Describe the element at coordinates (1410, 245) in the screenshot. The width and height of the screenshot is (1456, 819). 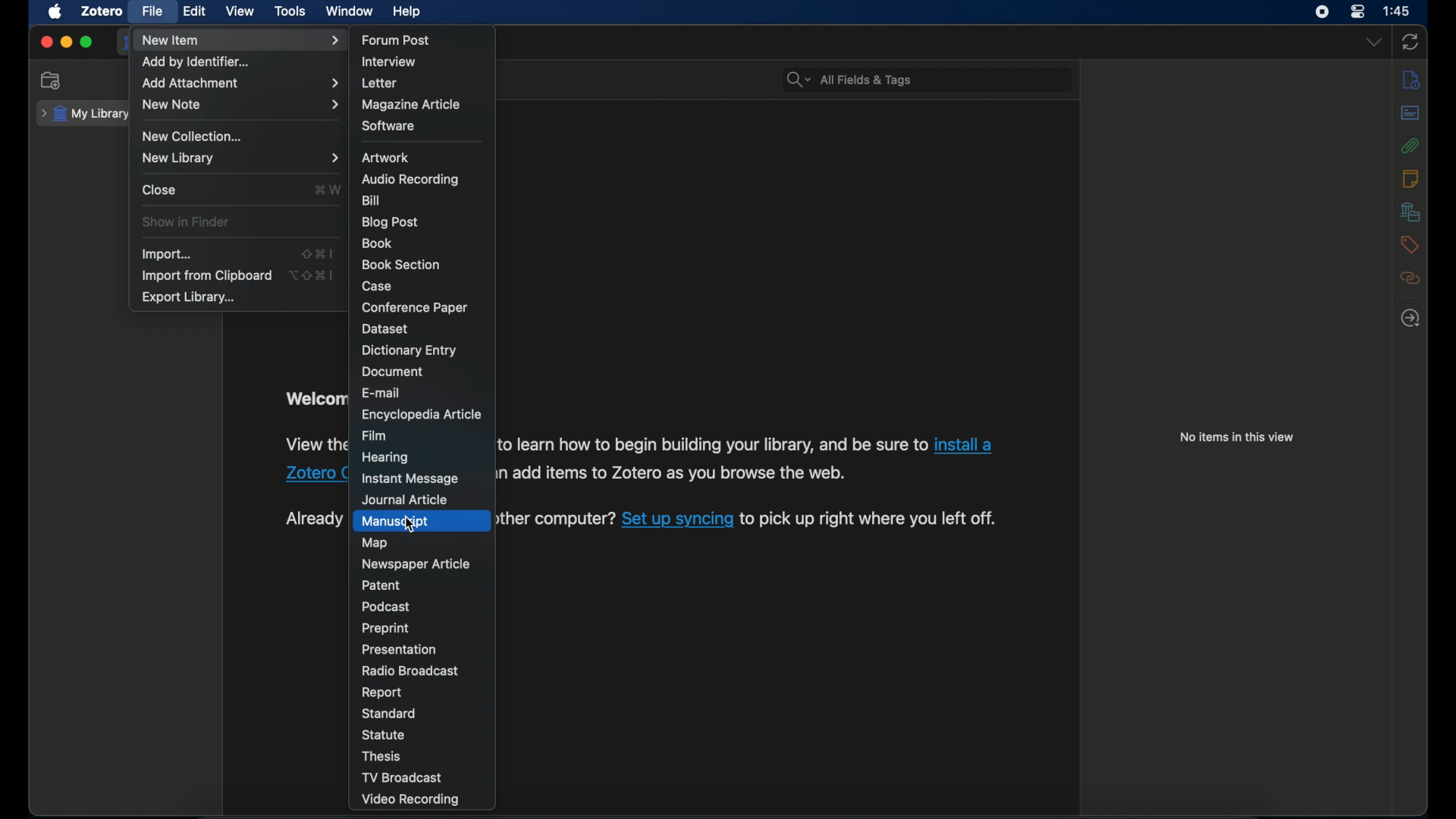
I see `tags` at that location.